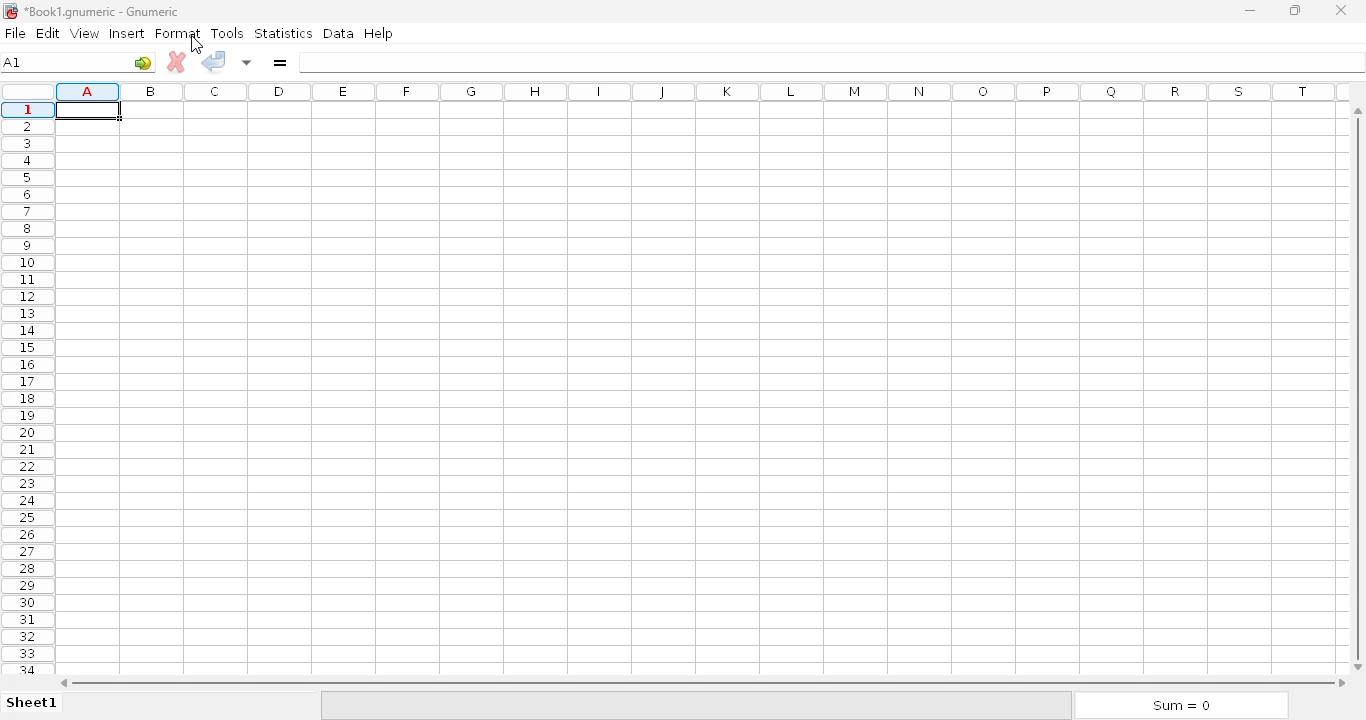  I want to click on minimize, so click(1251, 11).